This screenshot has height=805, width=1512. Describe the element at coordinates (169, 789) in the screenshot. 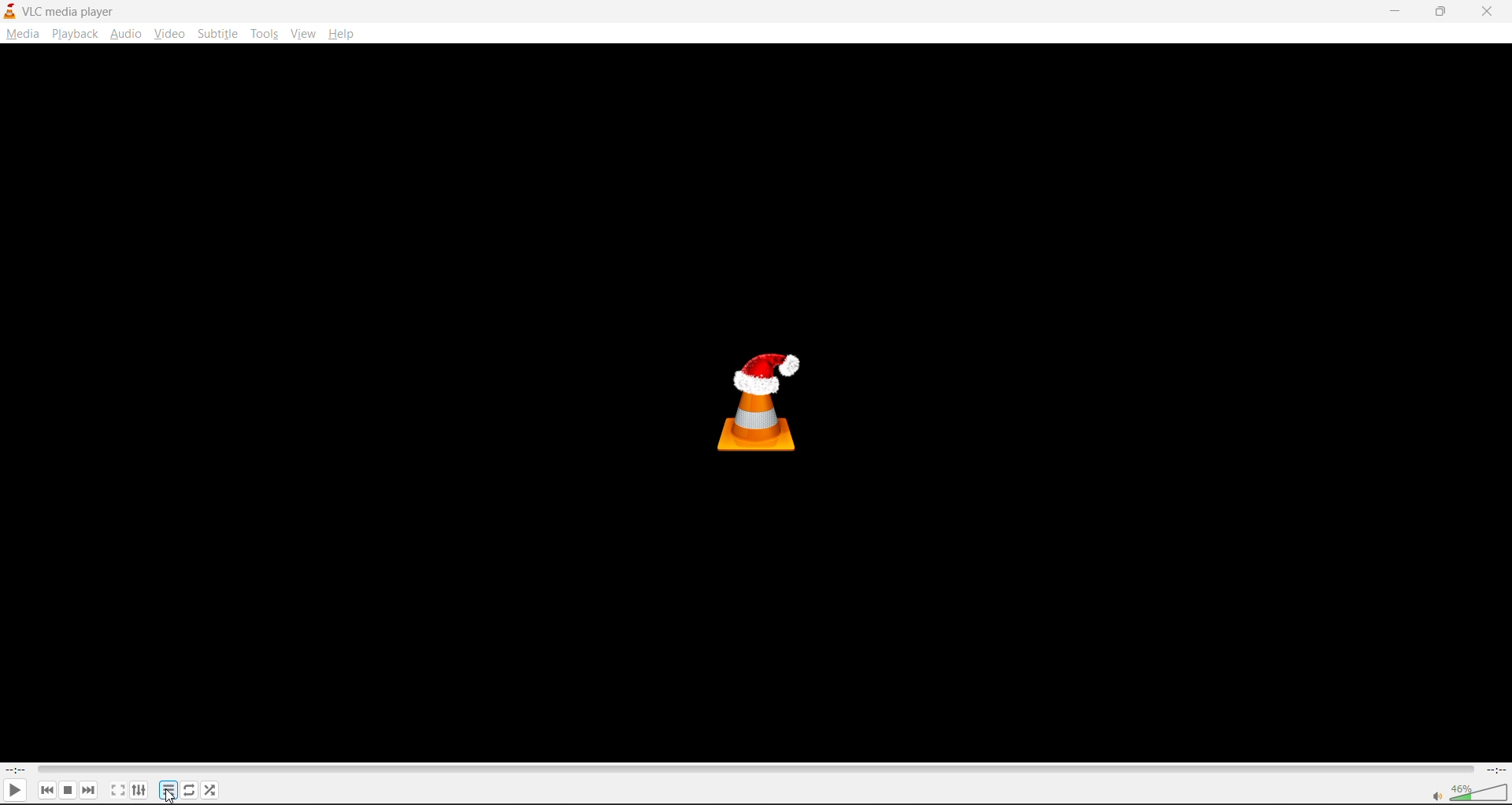

I see `playlist` at that location.